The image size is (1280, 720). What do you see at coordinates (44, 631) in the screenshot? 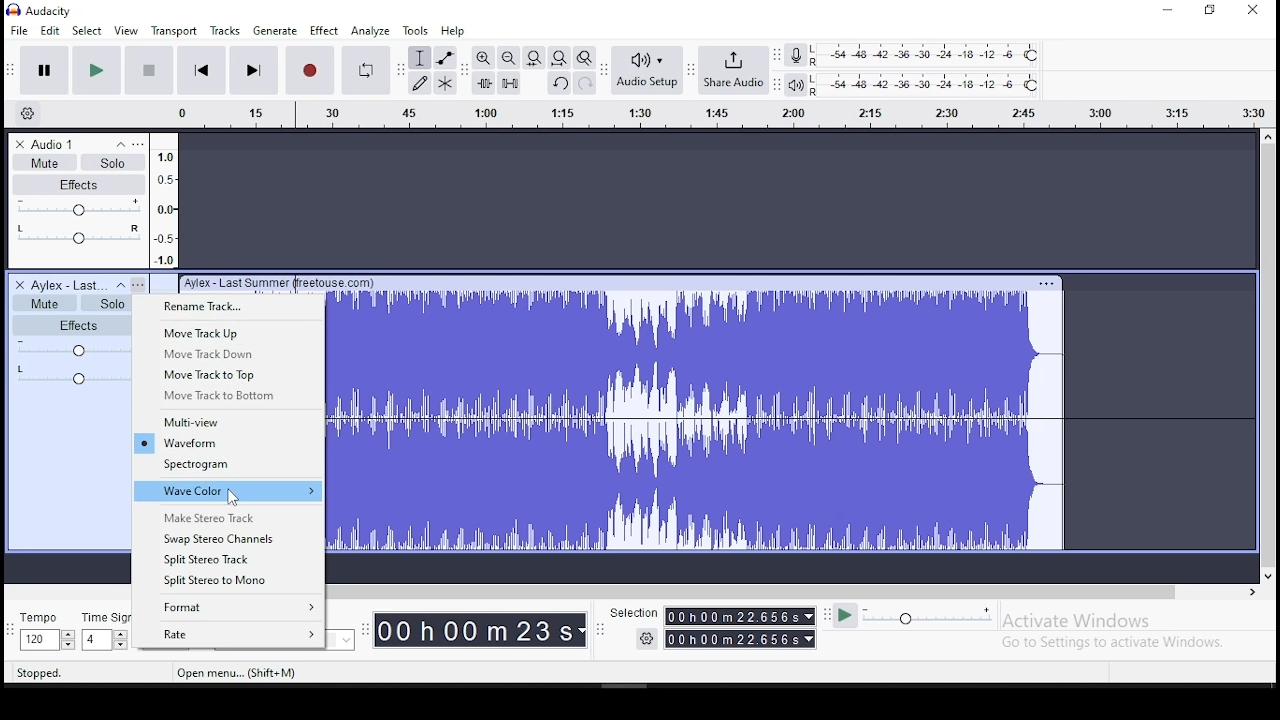
I see `tempo` at bounding box center [44, 631].